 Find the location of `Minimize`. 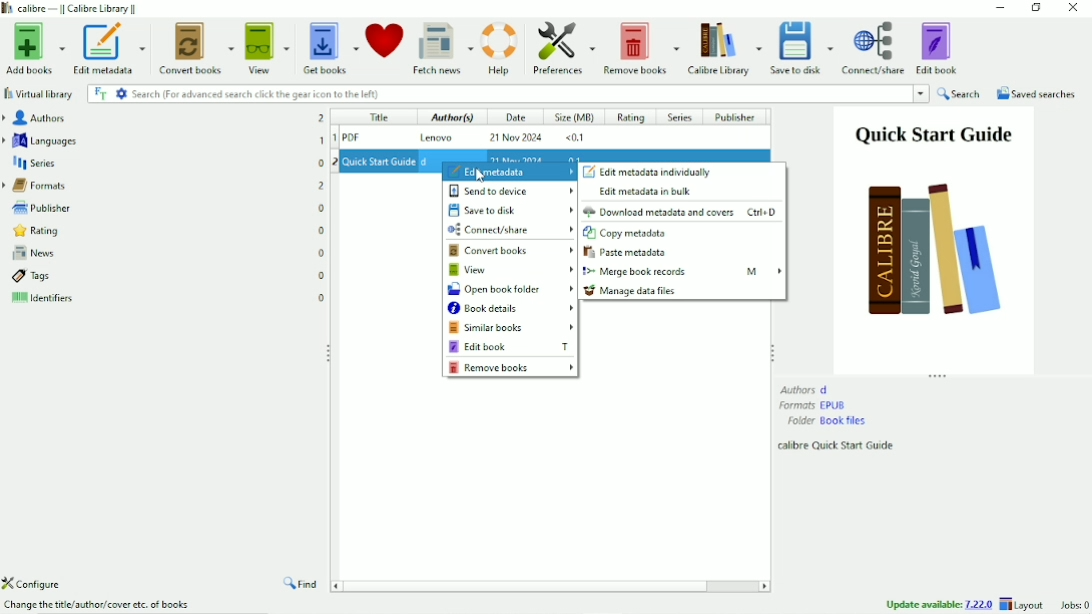

Minimize is located at coordinates (1001, 8).